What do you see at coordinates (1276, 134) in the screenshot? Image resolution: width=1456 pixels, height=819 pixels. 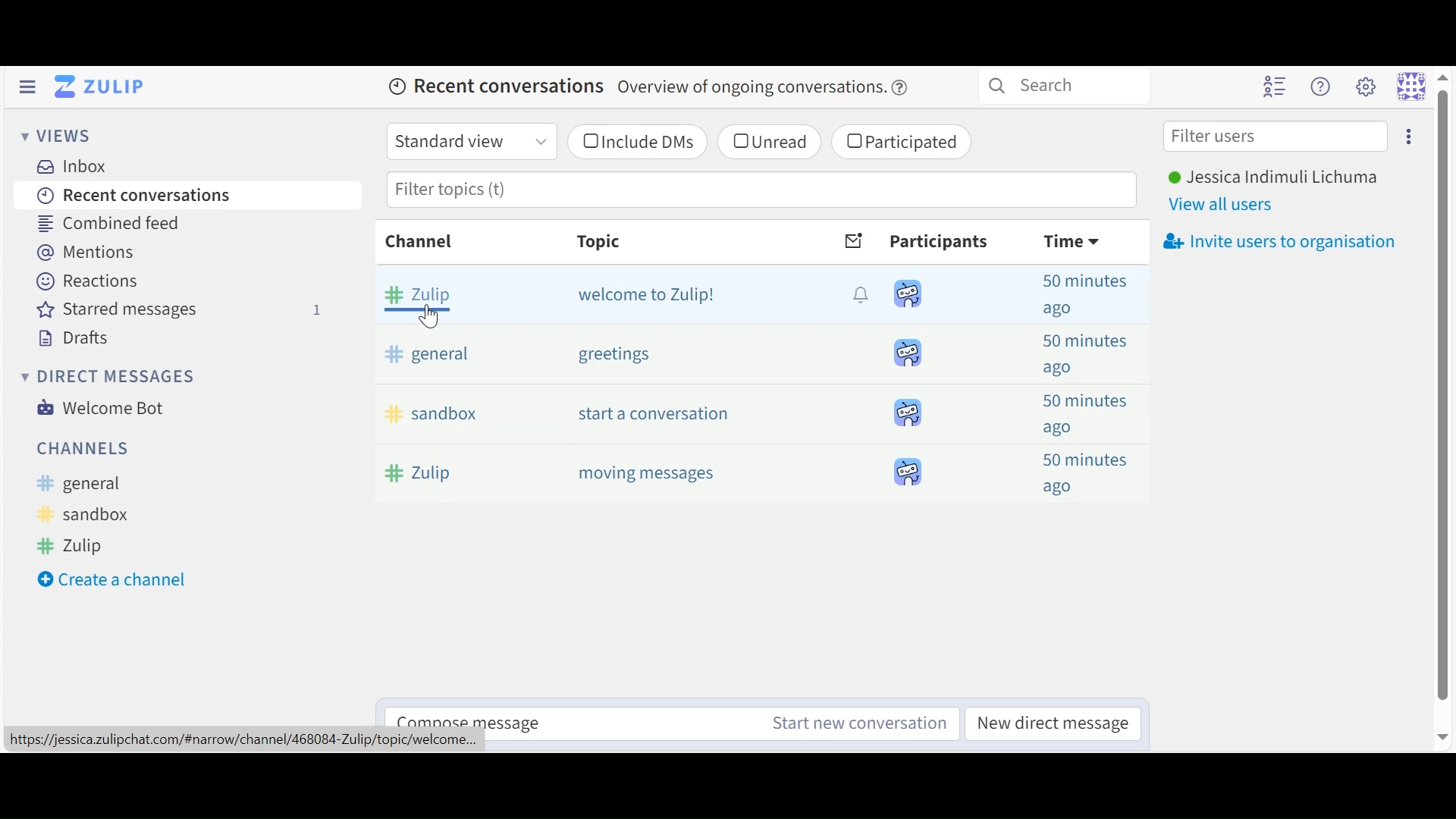 I see `Filter users` at bounding box center [1276, 134].